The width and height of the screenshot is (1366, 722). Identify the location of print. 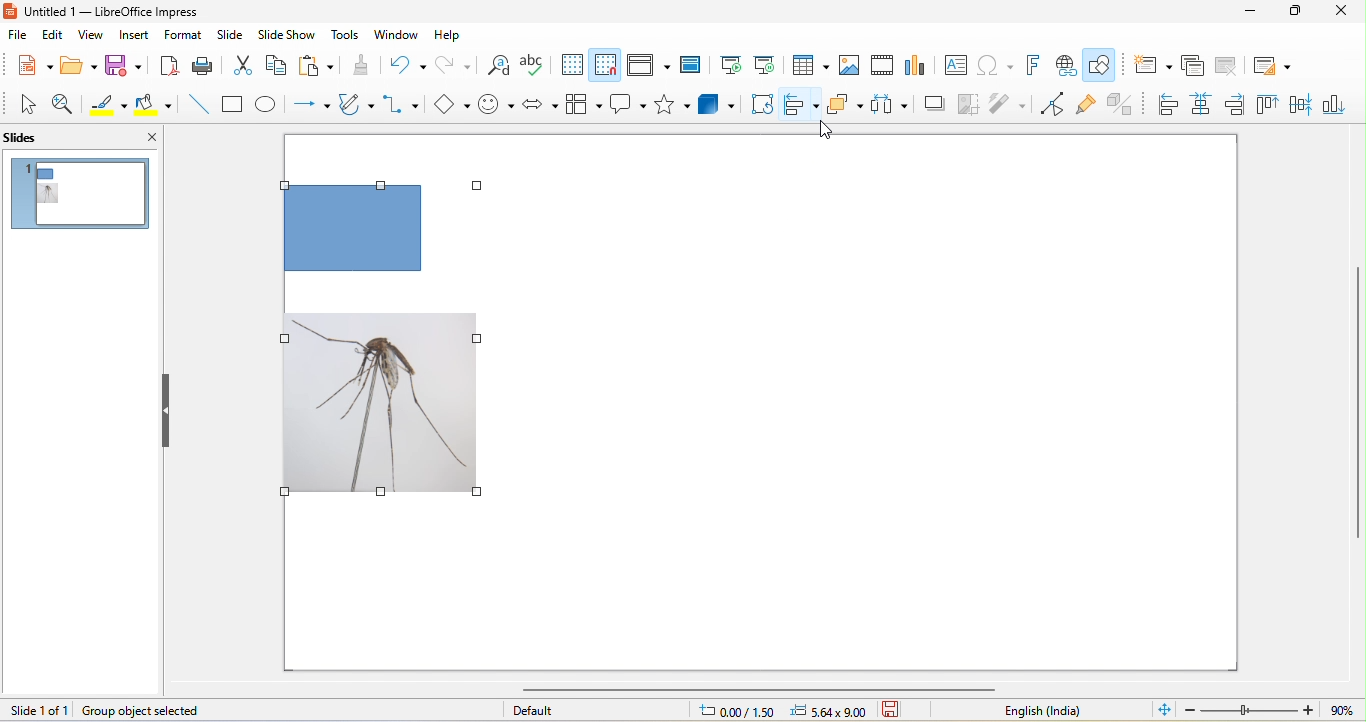
(203, 66).